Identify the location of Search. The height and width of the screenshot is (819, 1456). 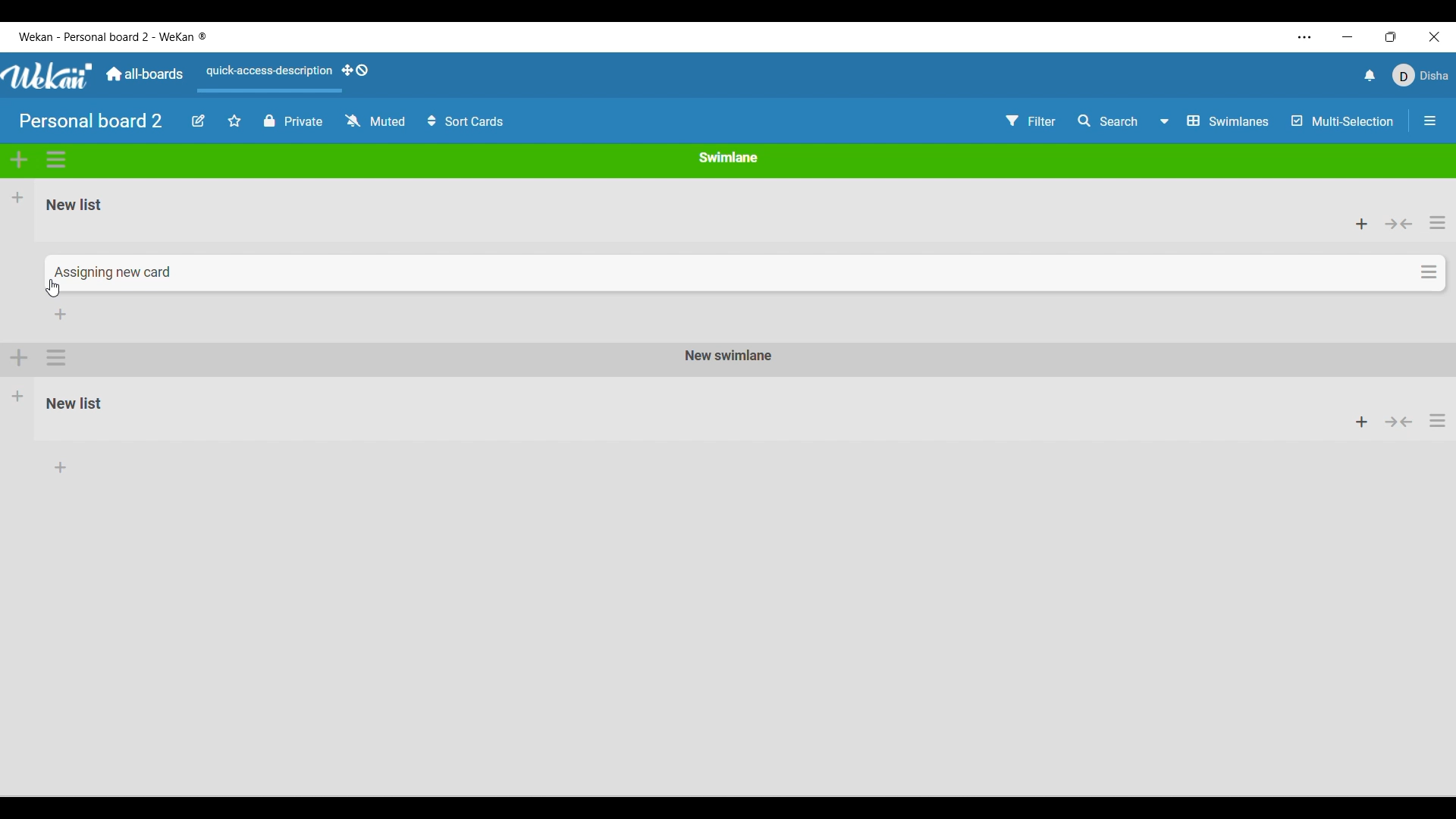
(1109, 121).